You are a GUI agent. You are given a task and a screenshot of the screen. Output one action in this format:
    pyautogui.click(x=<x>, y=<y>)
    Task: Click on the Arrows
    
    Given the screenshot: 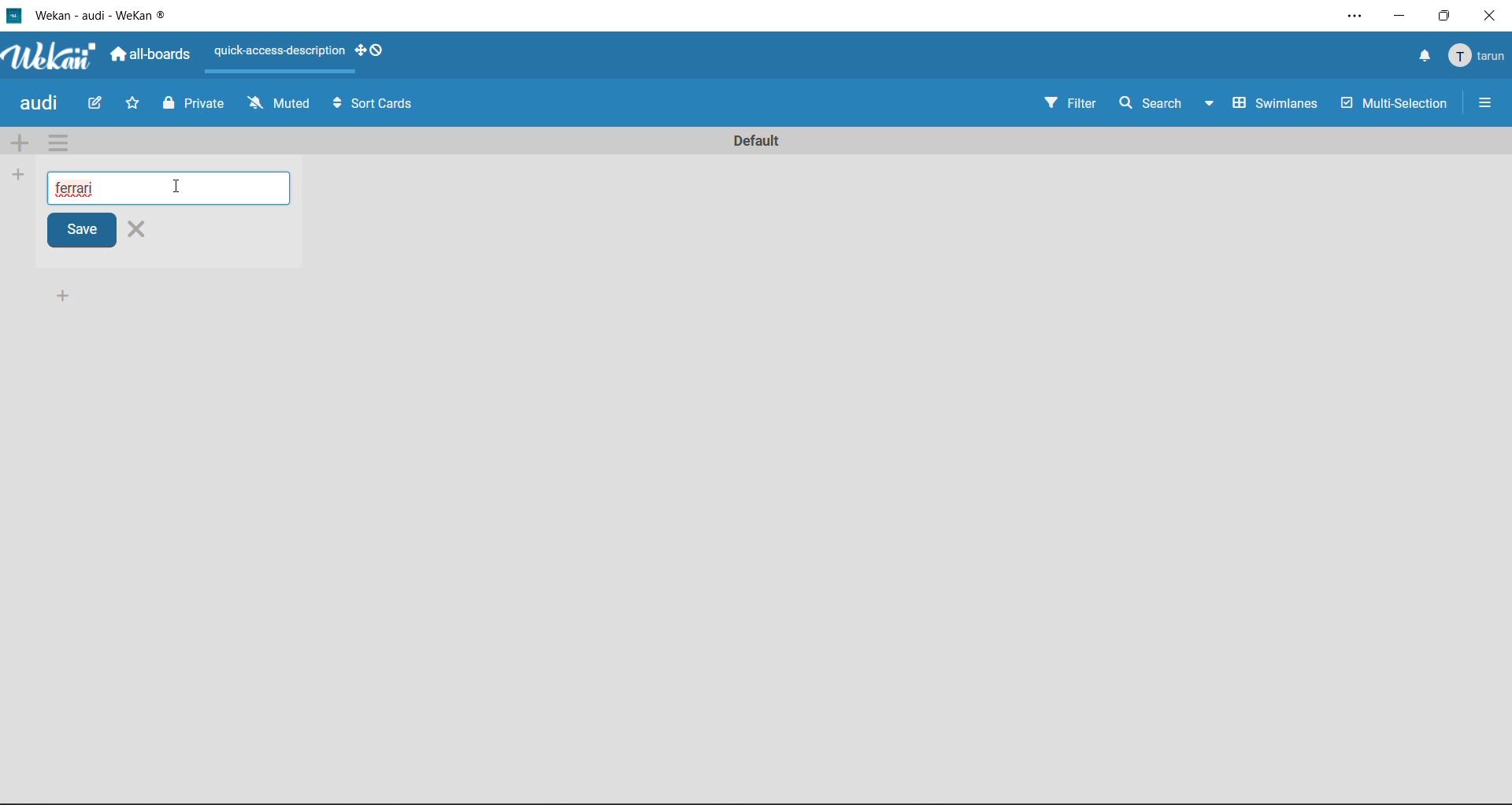 What is the action you would take?
    pyautogui.click(x=335, y=102)
    